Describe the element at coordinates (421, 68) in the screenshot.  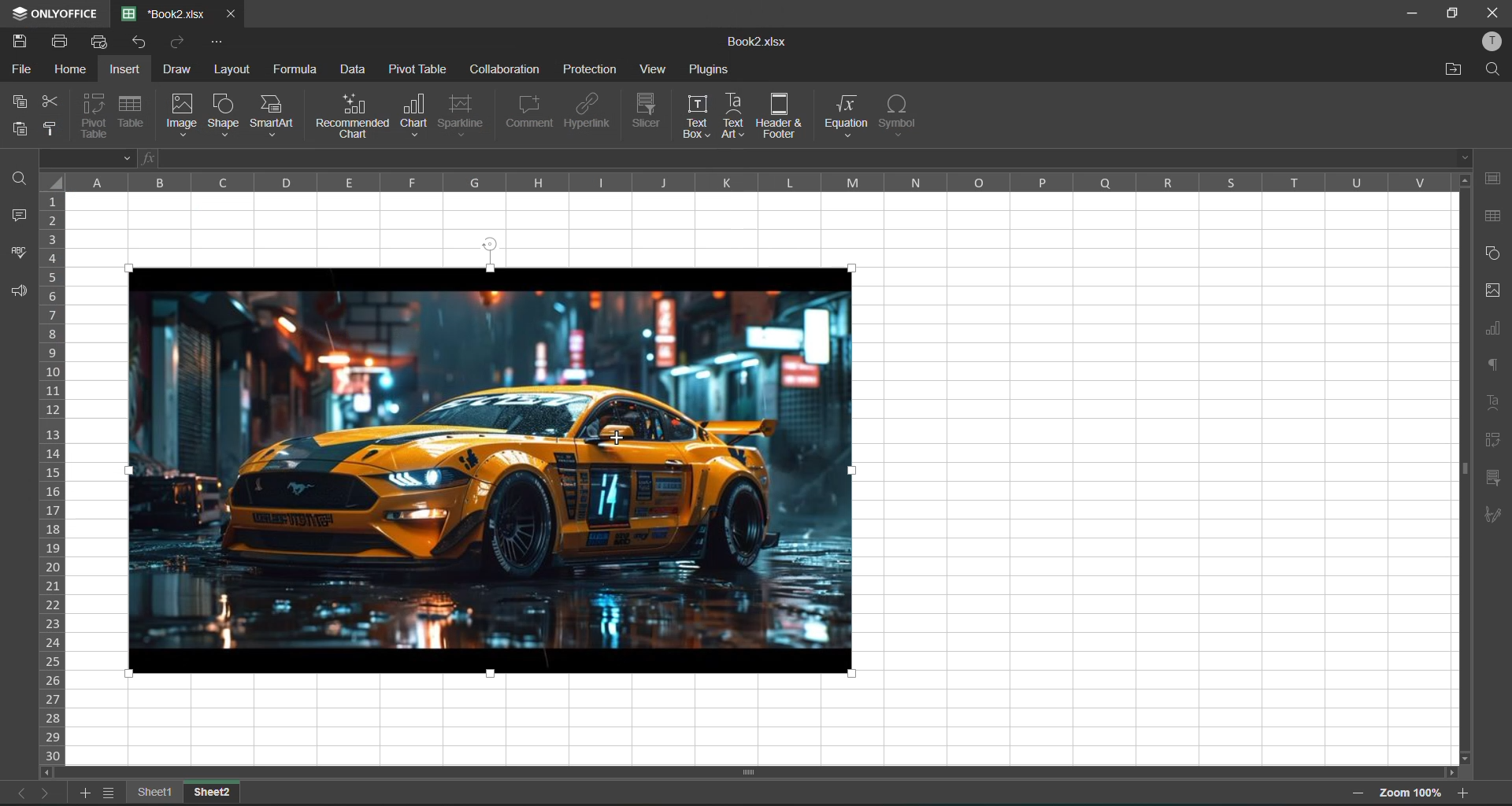
I see `pivot table` at that location.